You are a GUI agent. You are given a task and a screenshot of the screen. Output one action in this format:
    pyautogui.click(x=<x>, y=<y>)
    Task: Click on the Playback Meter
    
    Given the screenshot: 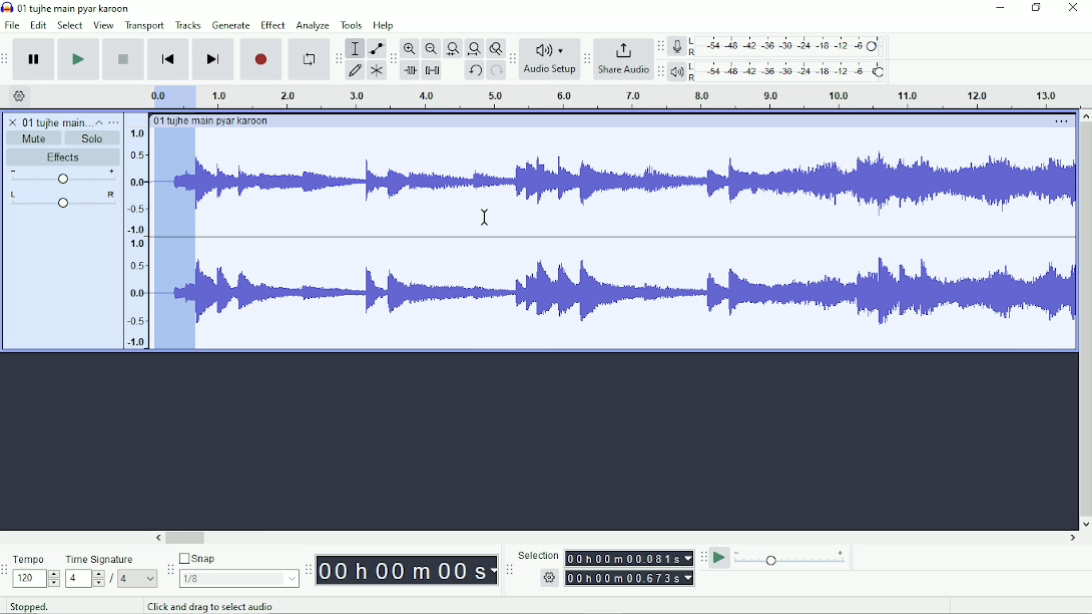 What is the action you would take?
    pyautogui.click(x=779, y=71)
    